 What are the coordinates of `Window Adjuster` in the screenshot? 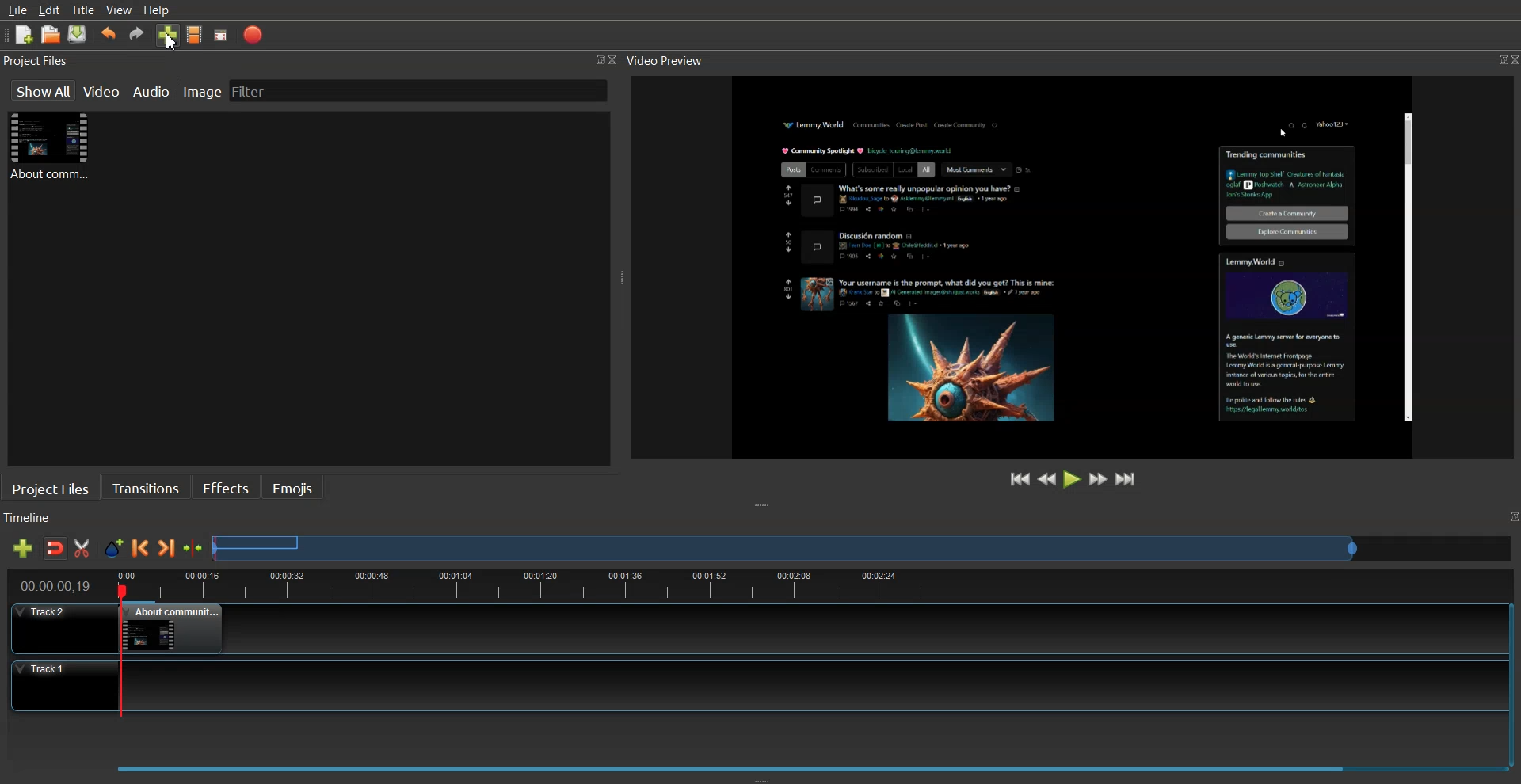 It's located at (762, 778).